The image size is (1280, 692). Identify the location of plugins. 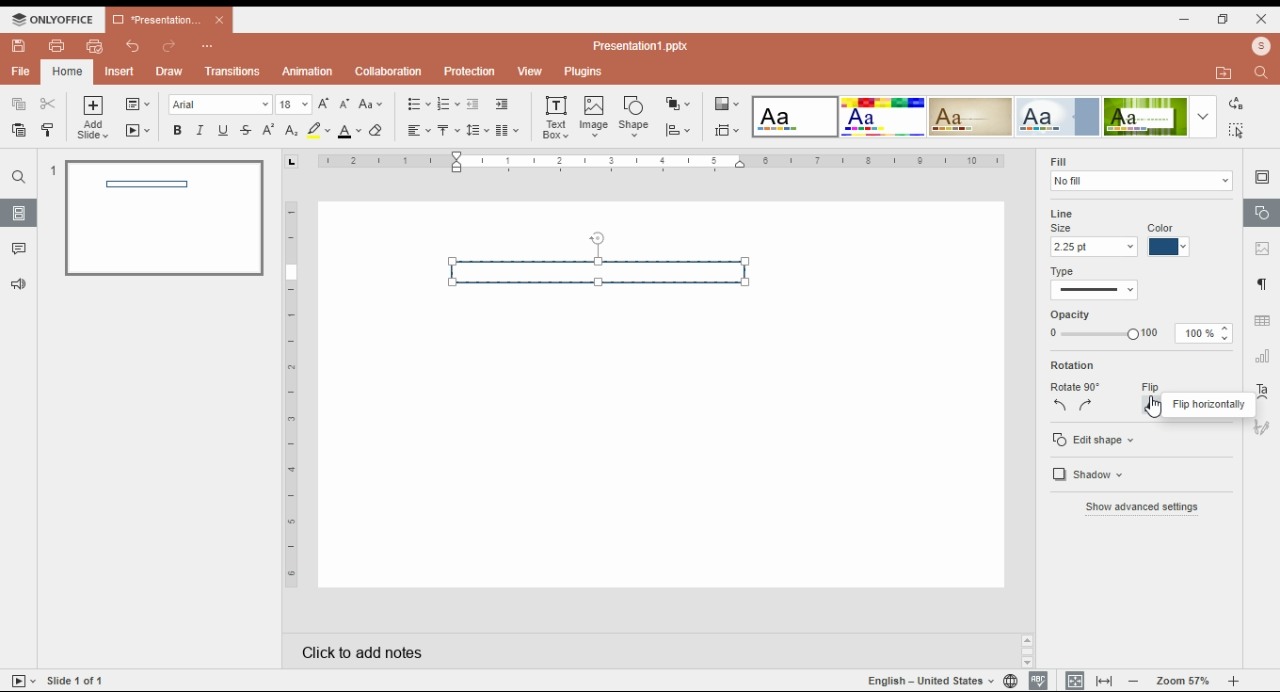
(582, 71).